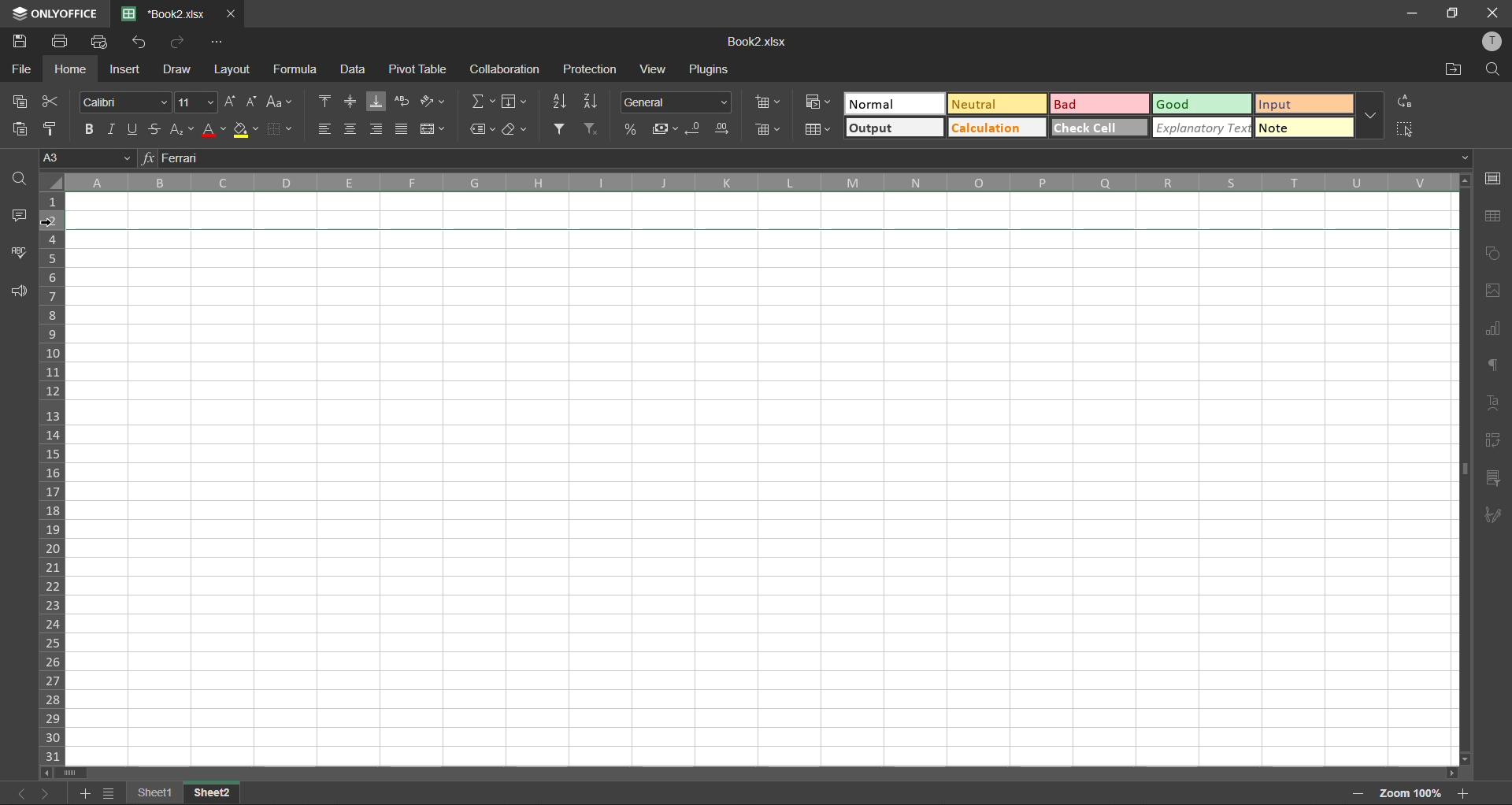  Describe the element at coordinates (377, 130) in the screenshot. I see `align right` at that location.